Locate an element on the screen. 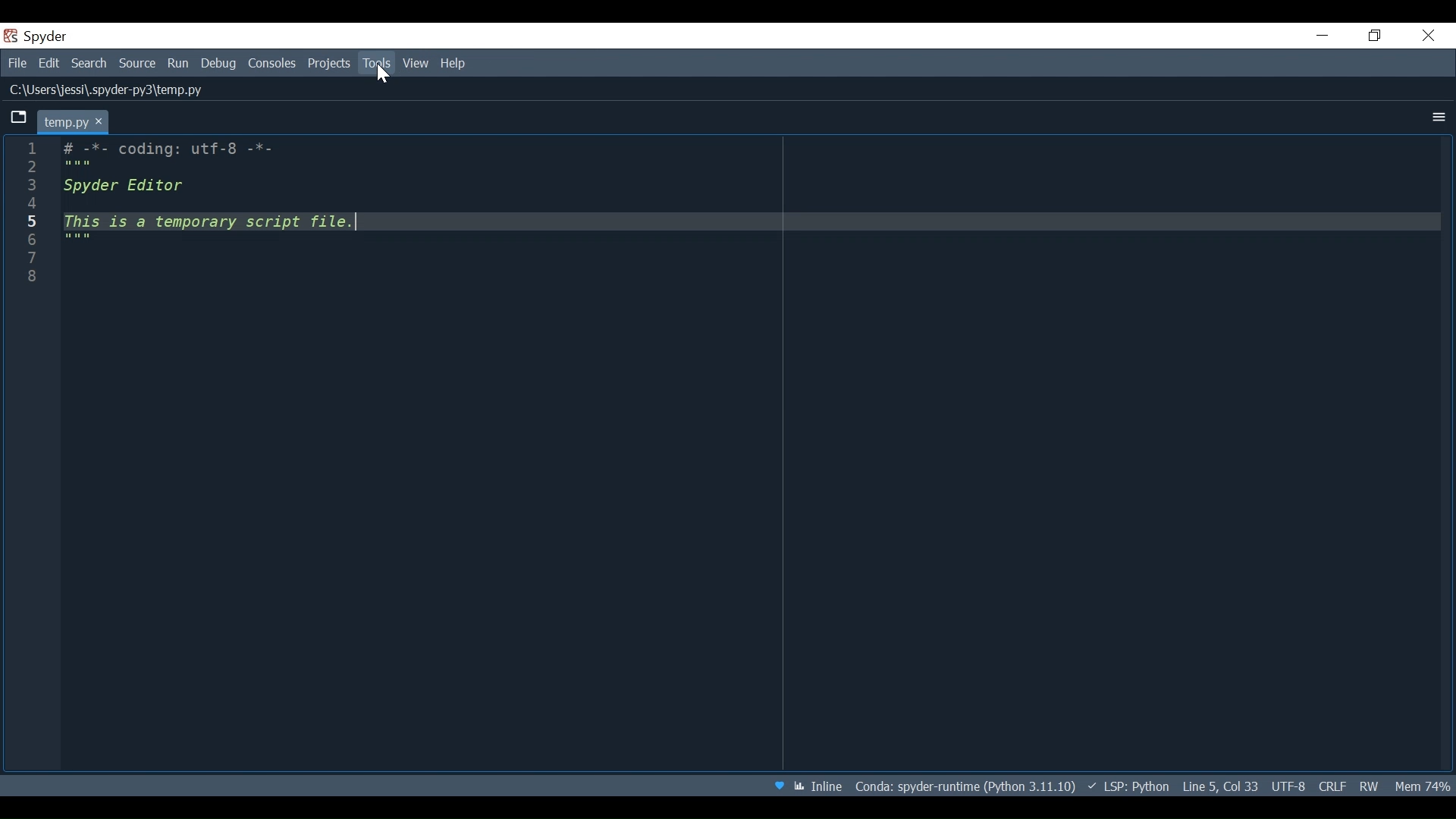 This screenshot has width=1456, height=819. line column is located at coordinates (37, 454).